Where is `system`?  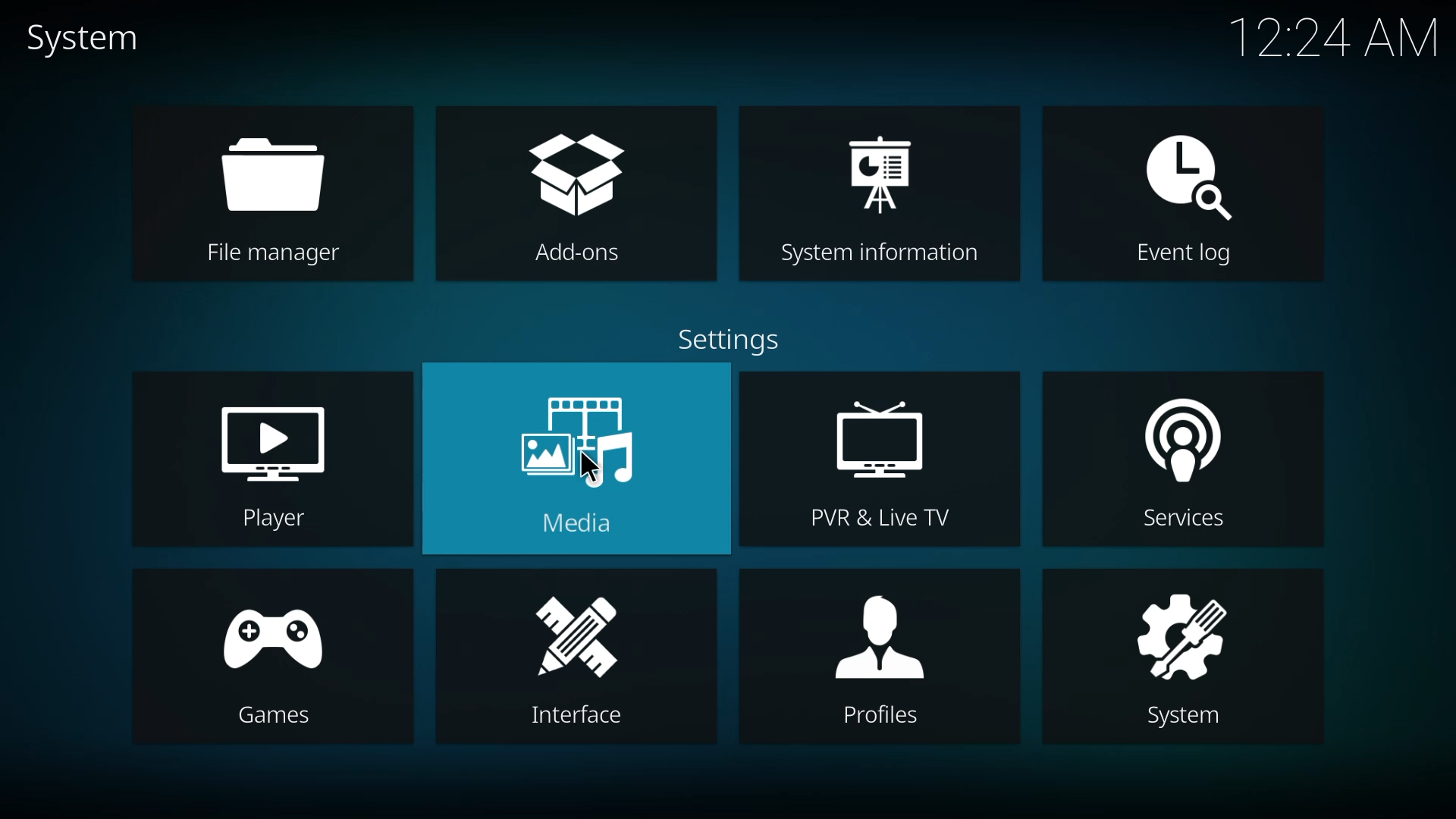
system is located at coordinates (96, 43).